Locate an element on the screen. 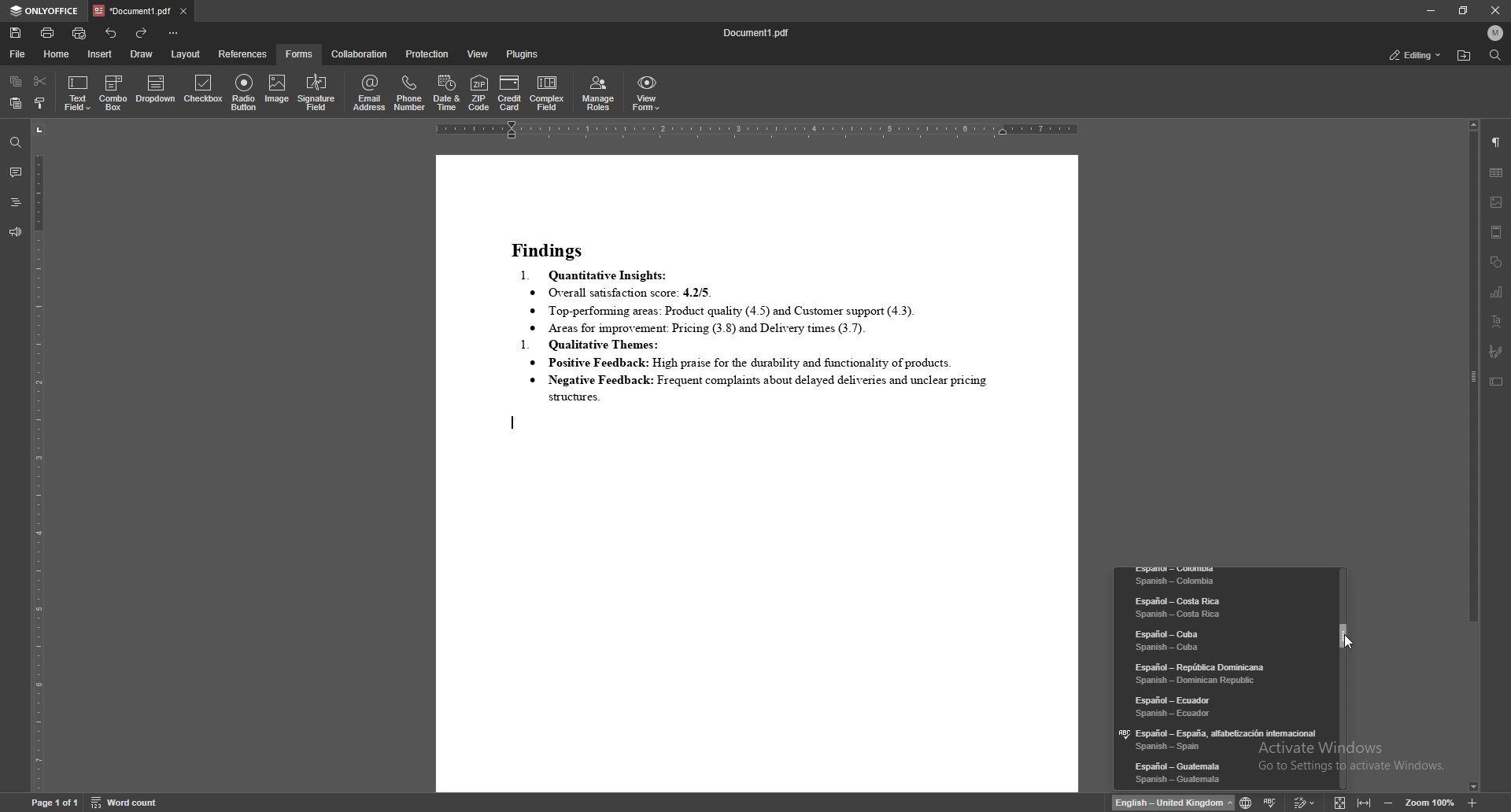 The width and height of the screenshot is (1511, 812). word count is located at coordinates (126, 803).